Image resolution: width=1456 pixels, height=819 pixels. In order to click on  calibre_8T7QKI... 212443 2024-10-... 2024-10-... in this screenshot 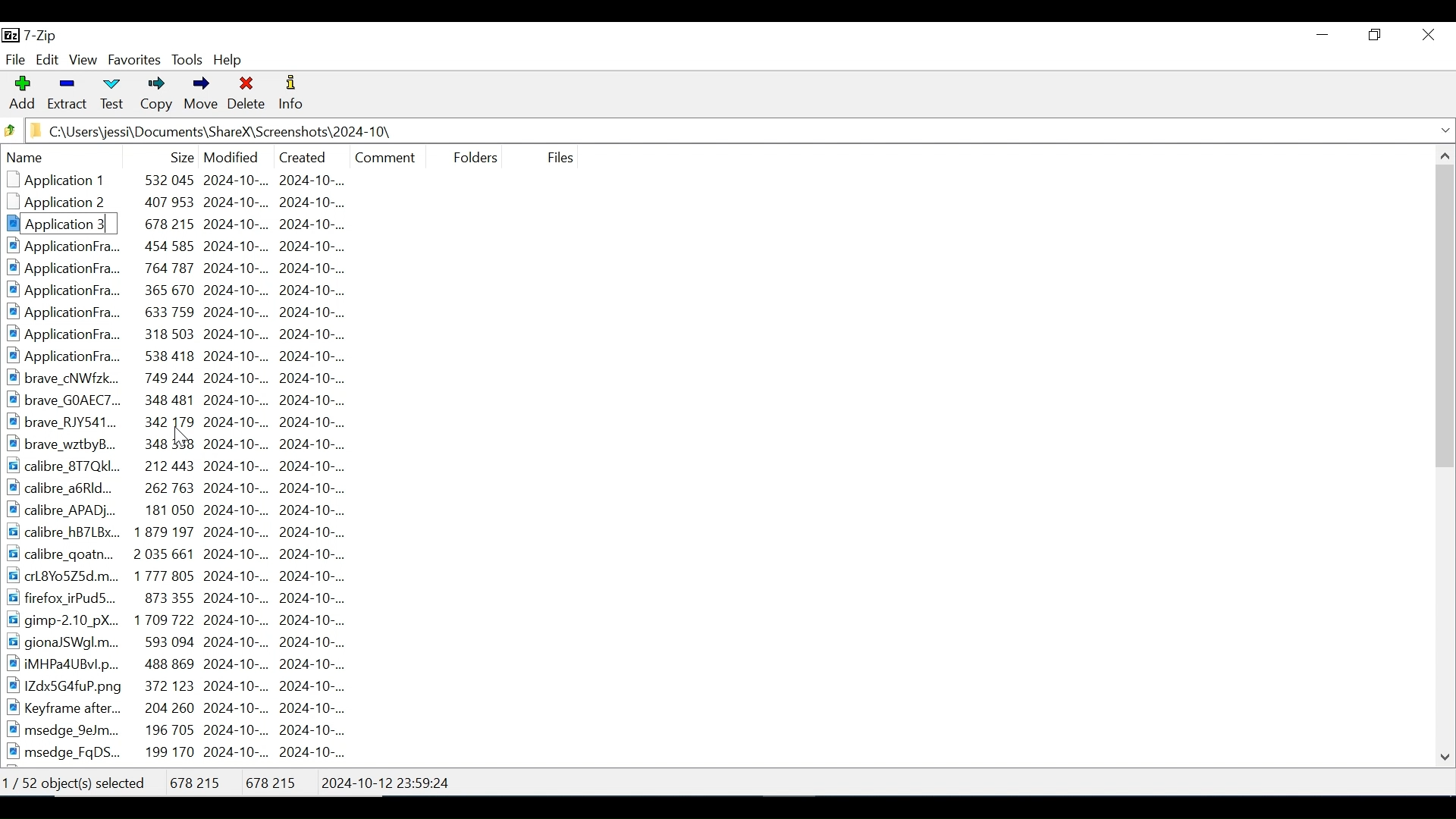, I will do `click(190, 466)`.